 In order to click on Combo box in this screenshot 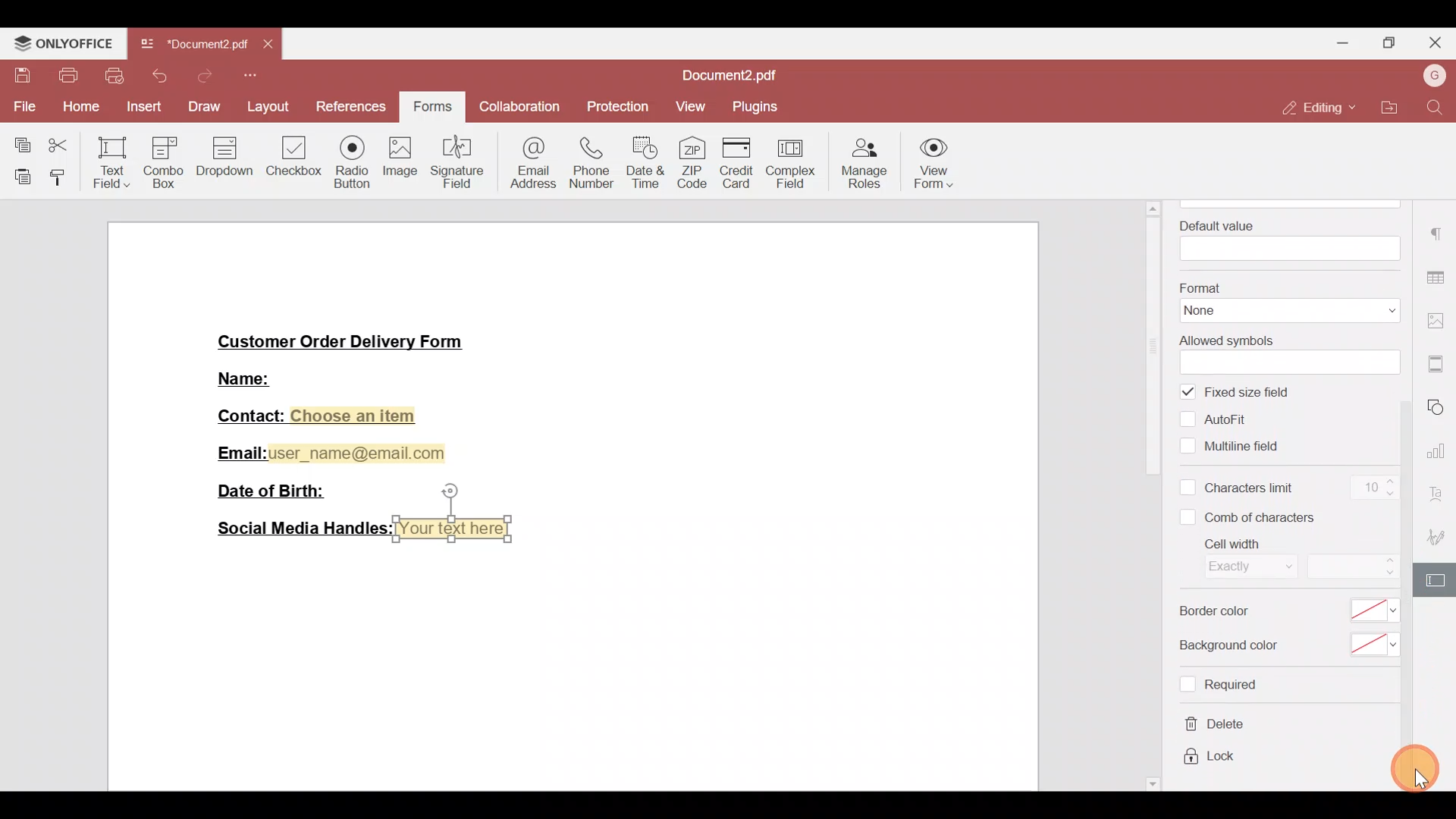, I will do `click(167, 160)`.